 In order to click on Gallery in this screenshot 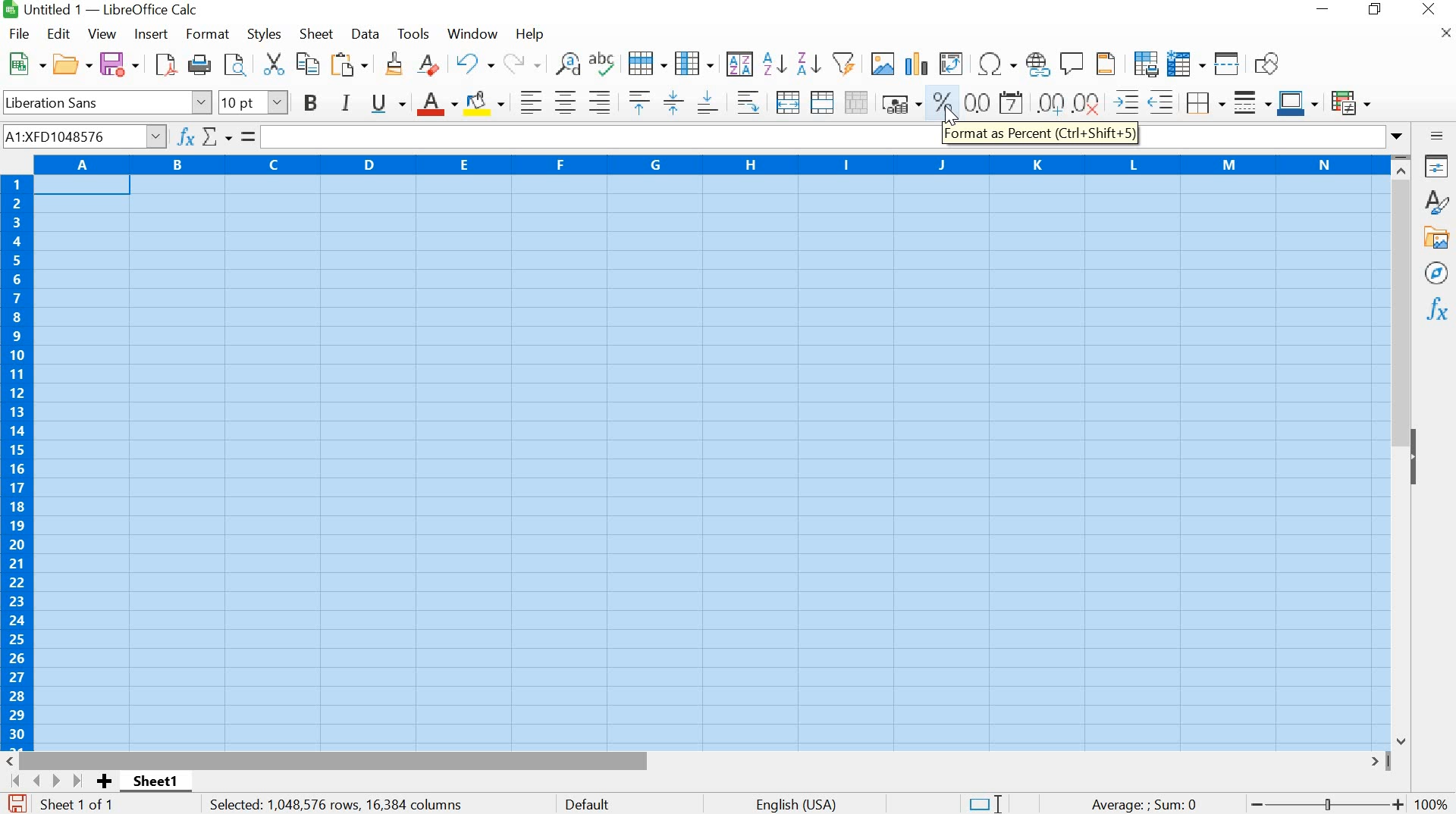, I will do `click(1438, 239)`.